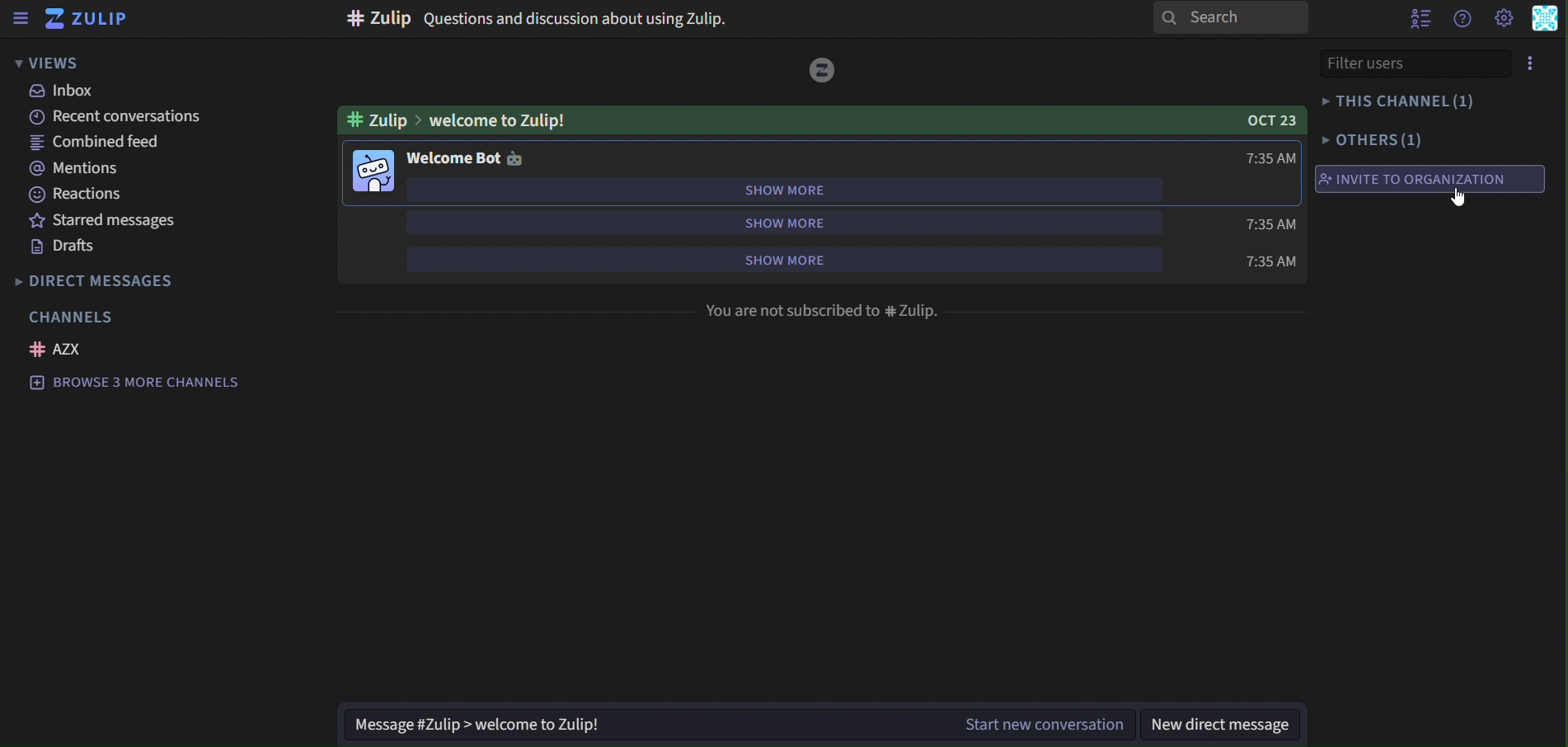  What do you see at coordinates (824, 68) in the screenshot?
I see `image` at bounding box center [824, 68].